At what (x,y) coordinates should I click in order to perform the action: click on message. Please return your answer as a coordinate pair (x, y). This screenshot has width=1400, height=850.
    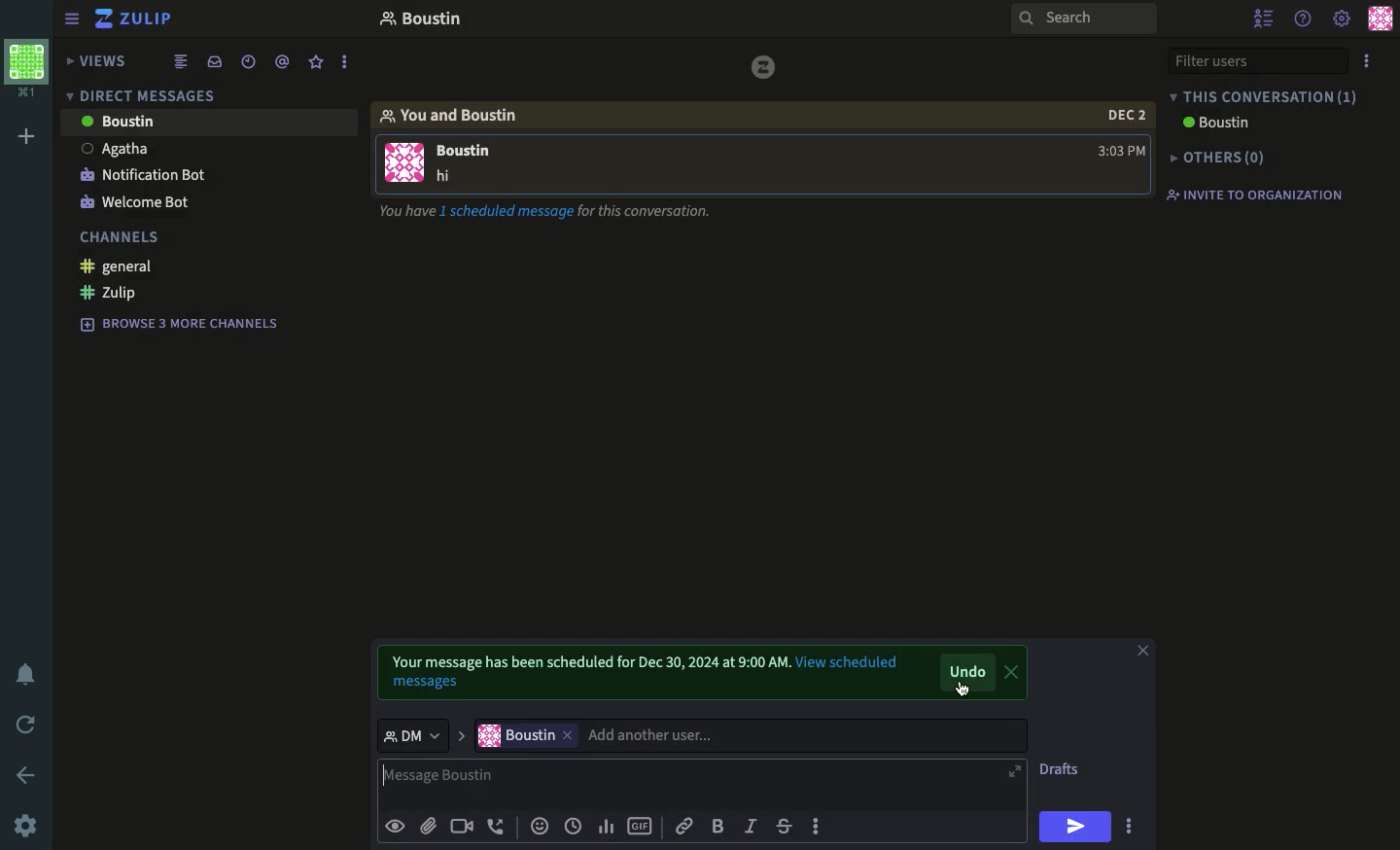
    Looking at the image, I should click on (470, 159).